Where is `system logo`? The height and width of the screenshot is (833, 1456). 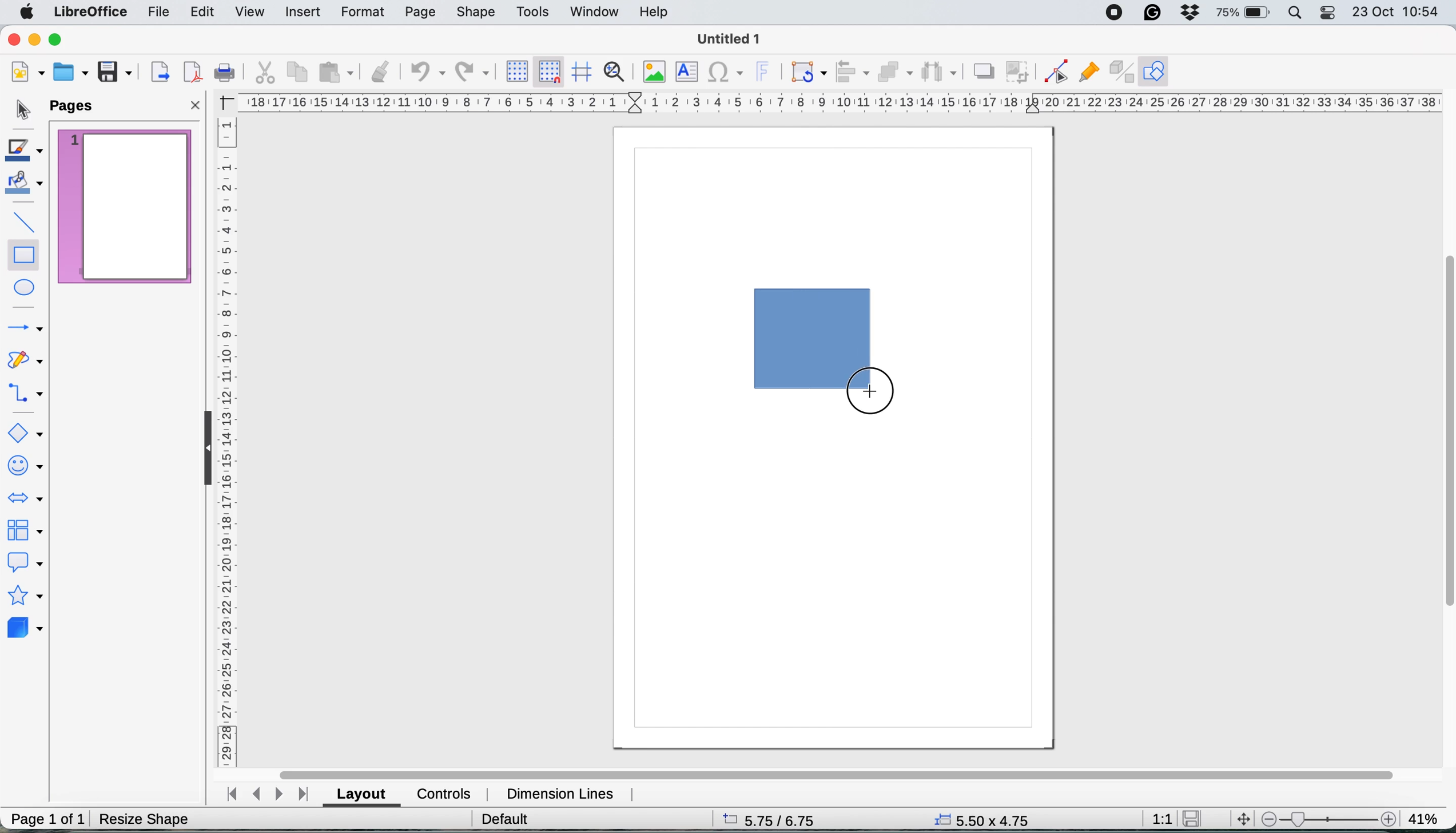 system logo is located at coordinates (24, 15).